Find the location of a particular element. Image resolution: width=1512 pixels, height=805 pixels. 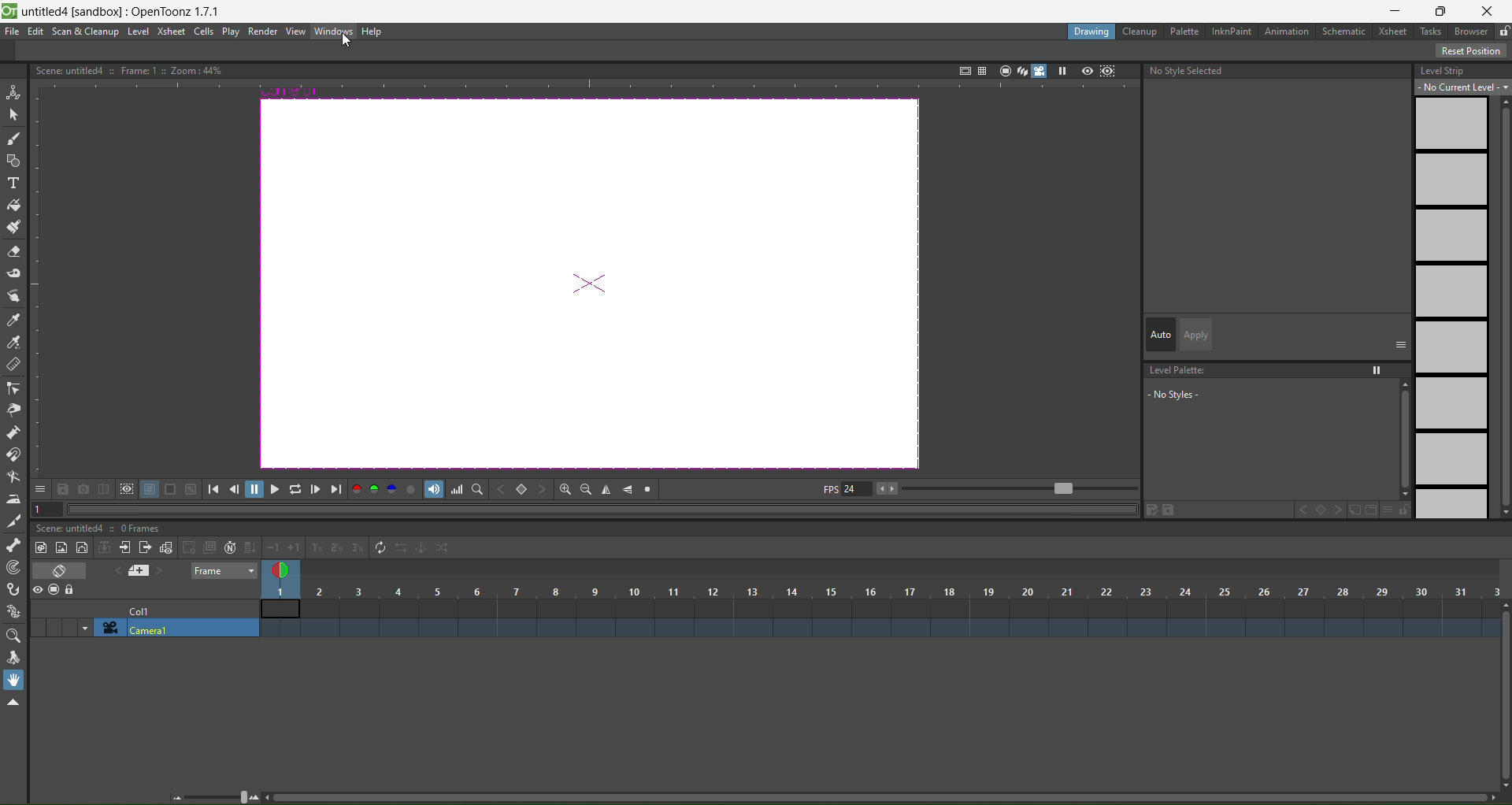

swing is located at coordinates (422, 551).